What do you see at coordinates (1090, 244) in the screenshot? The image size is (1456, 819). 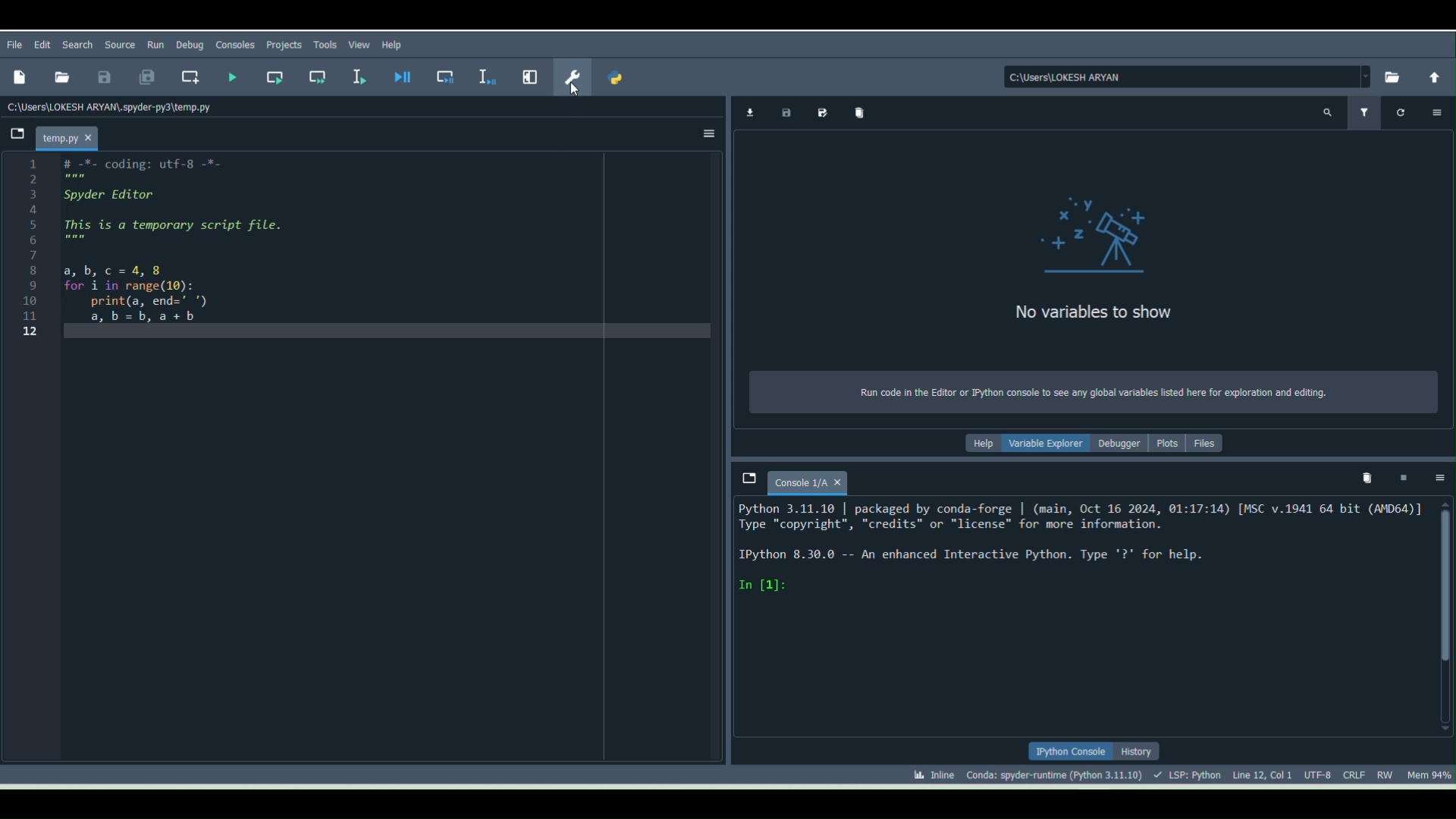 I see `Variables` at bounding box center [1090, 244].